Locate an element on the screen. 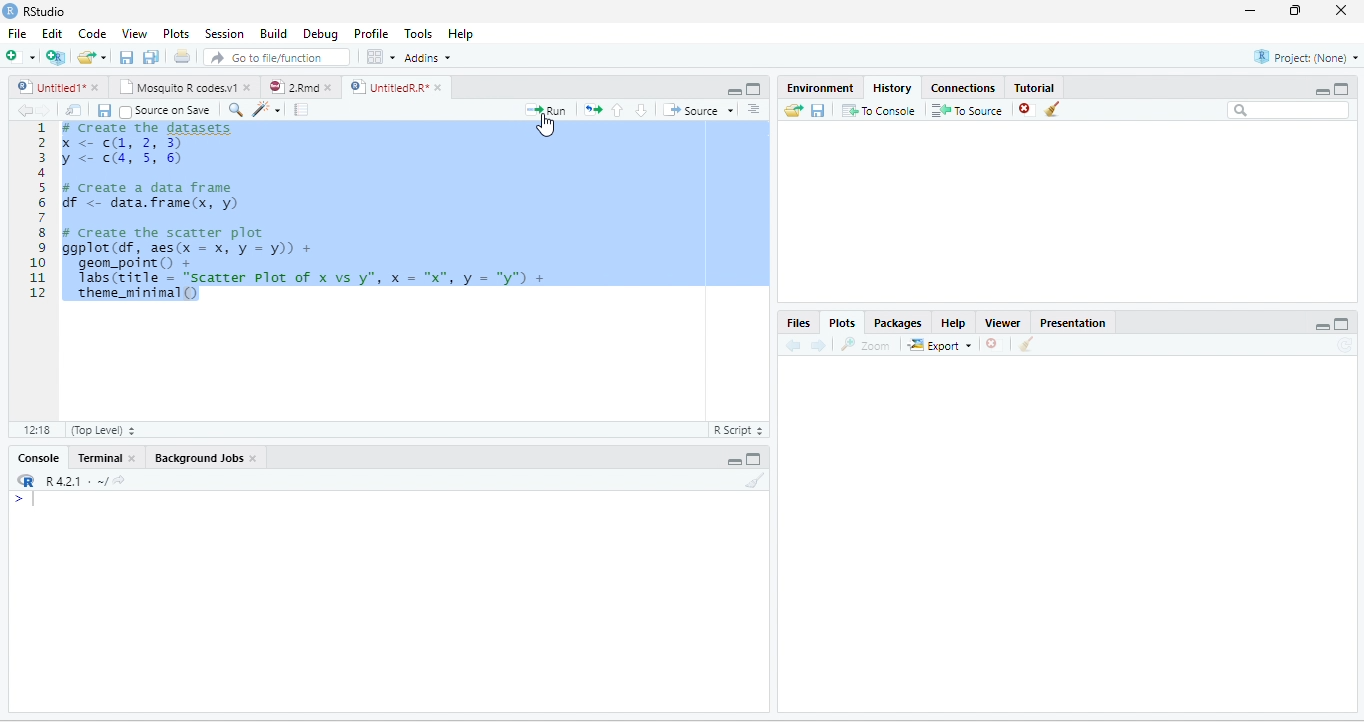 This screenshot has width=1364, height=722. Save current document is located at coordinates (127, 56).